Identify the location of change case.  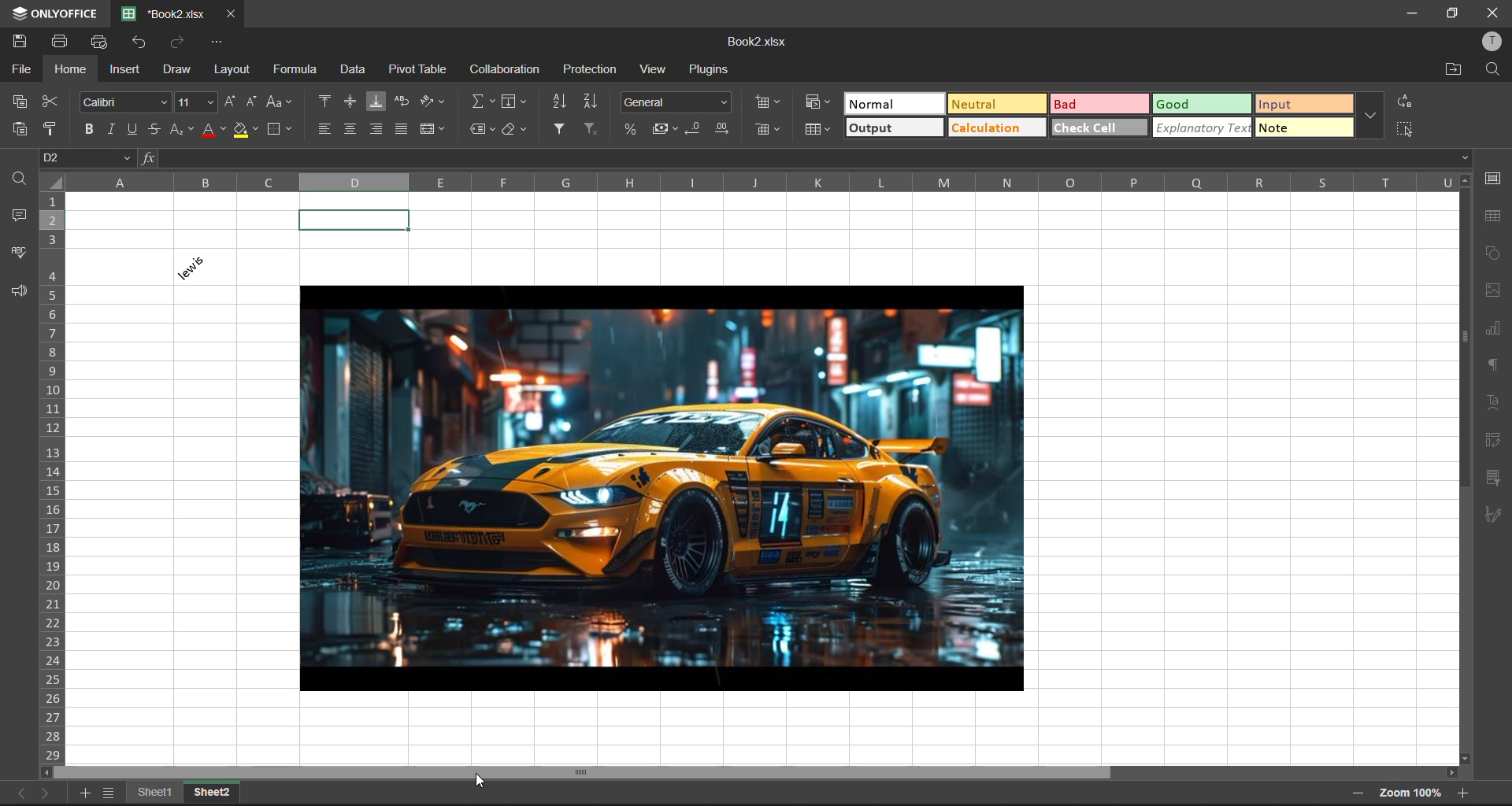
(280, 102).